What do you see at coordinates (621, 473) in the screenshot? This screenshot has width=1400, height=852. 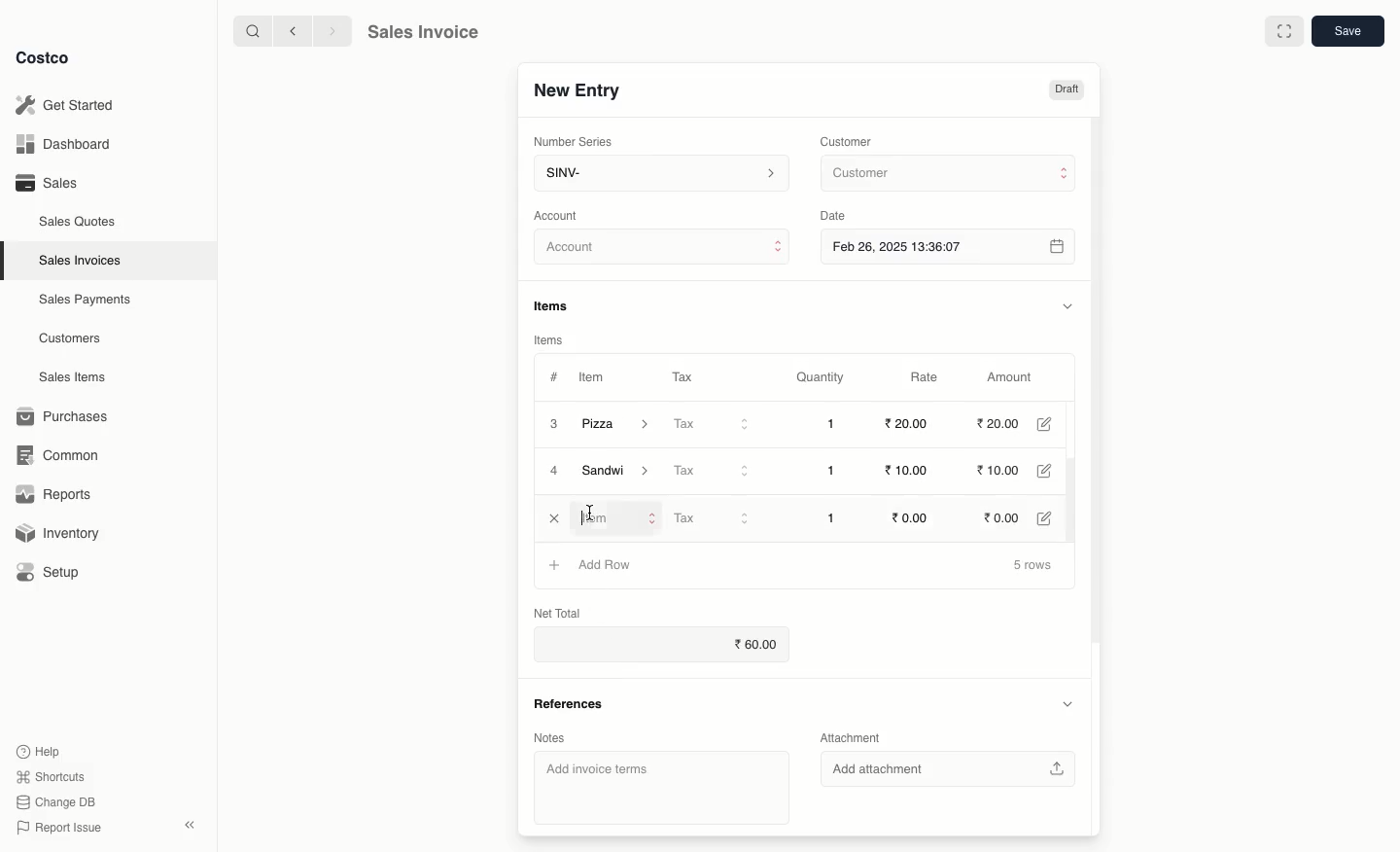 I see `Sandwich` at bounding box center [621, 473].